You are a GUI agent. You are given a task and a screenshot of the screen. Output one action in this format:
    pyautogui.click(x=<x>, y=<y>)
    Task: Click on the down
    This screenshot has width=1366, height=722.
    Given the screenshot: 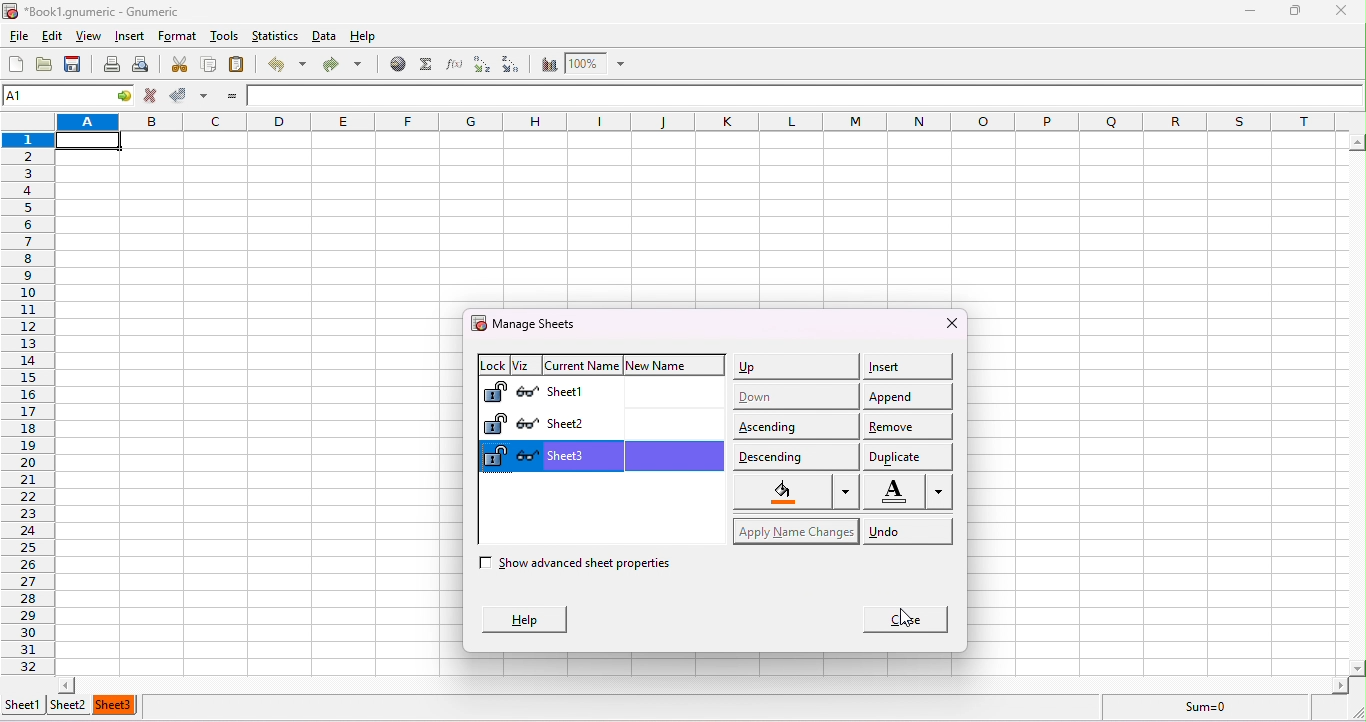 What is the action you would take?
    pyautogui.click(x=794, y=393)
    